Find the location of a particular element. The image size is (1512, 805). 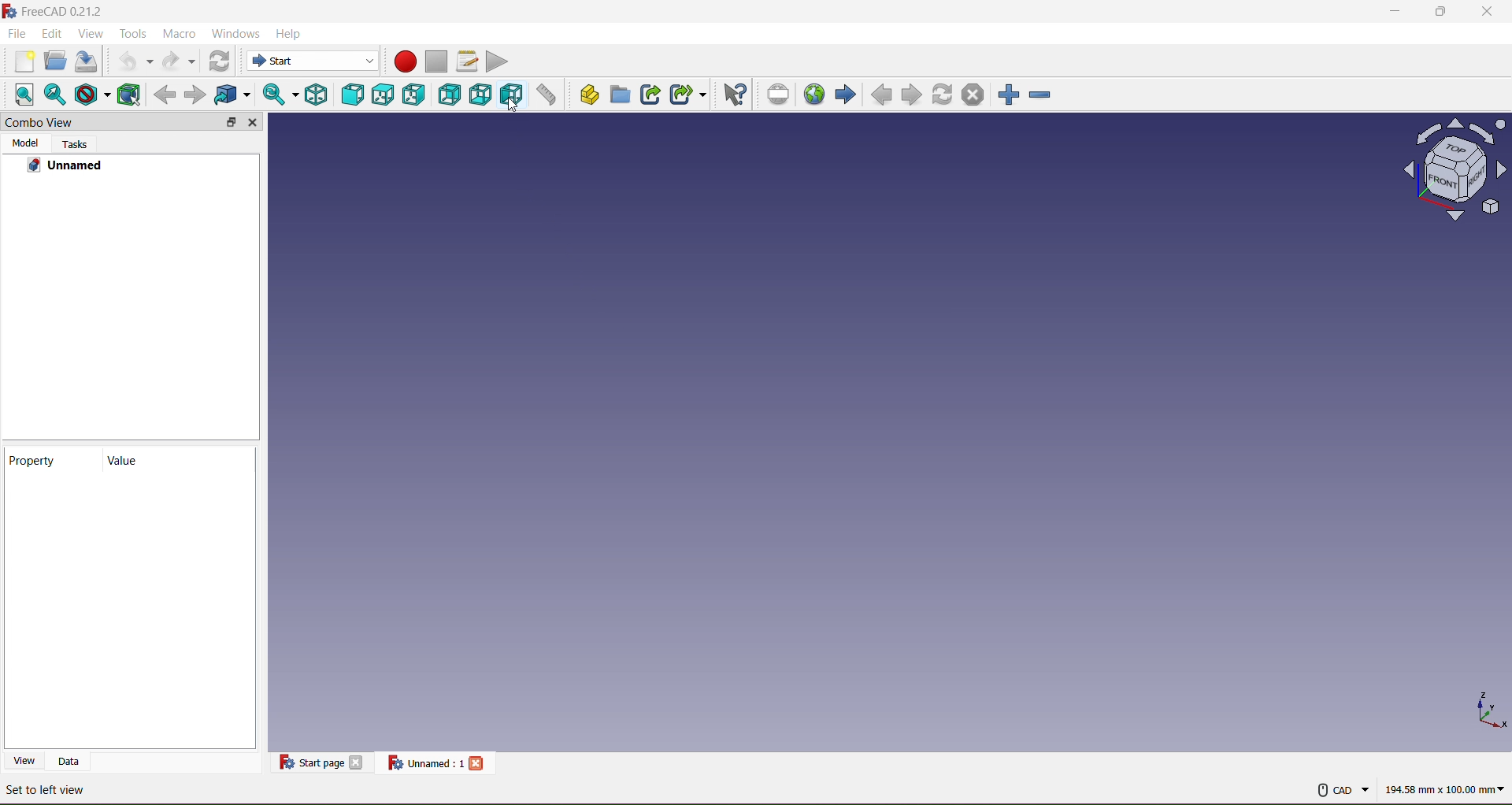

Forward Navigation is located at coordinates (912, 95).